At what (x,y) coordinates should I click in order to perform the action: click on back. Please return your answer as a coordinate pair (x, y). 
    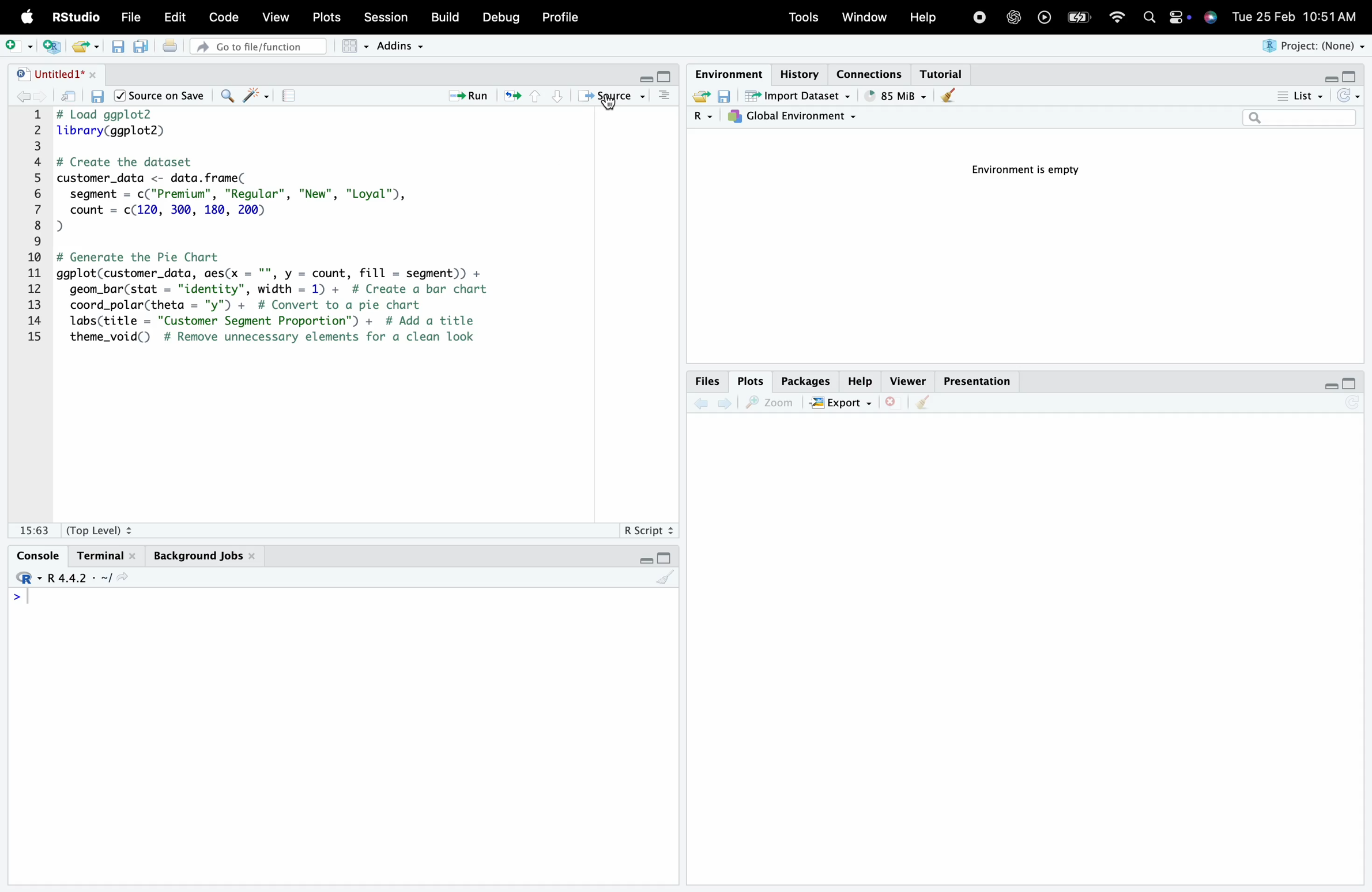
    Looking at the image, I should click on (28, 98).